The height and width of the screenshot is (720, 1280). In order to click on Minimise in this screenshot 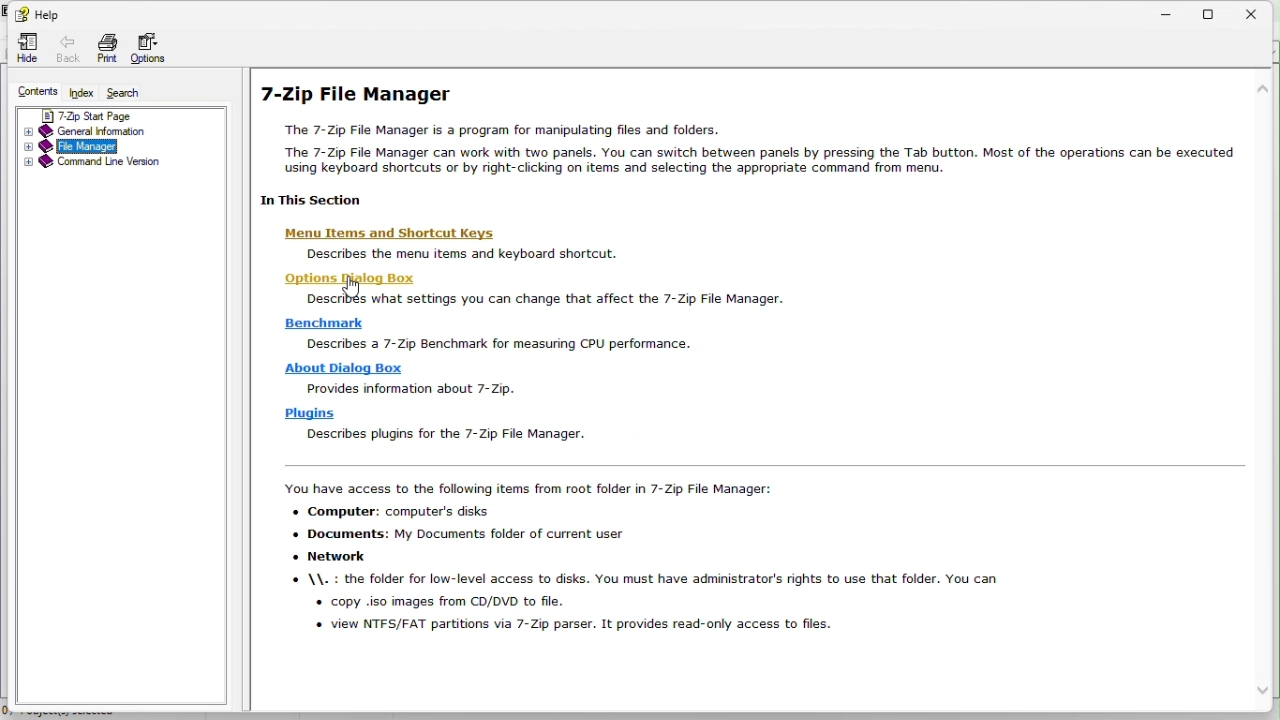, I will do `click(1169, 10)`.